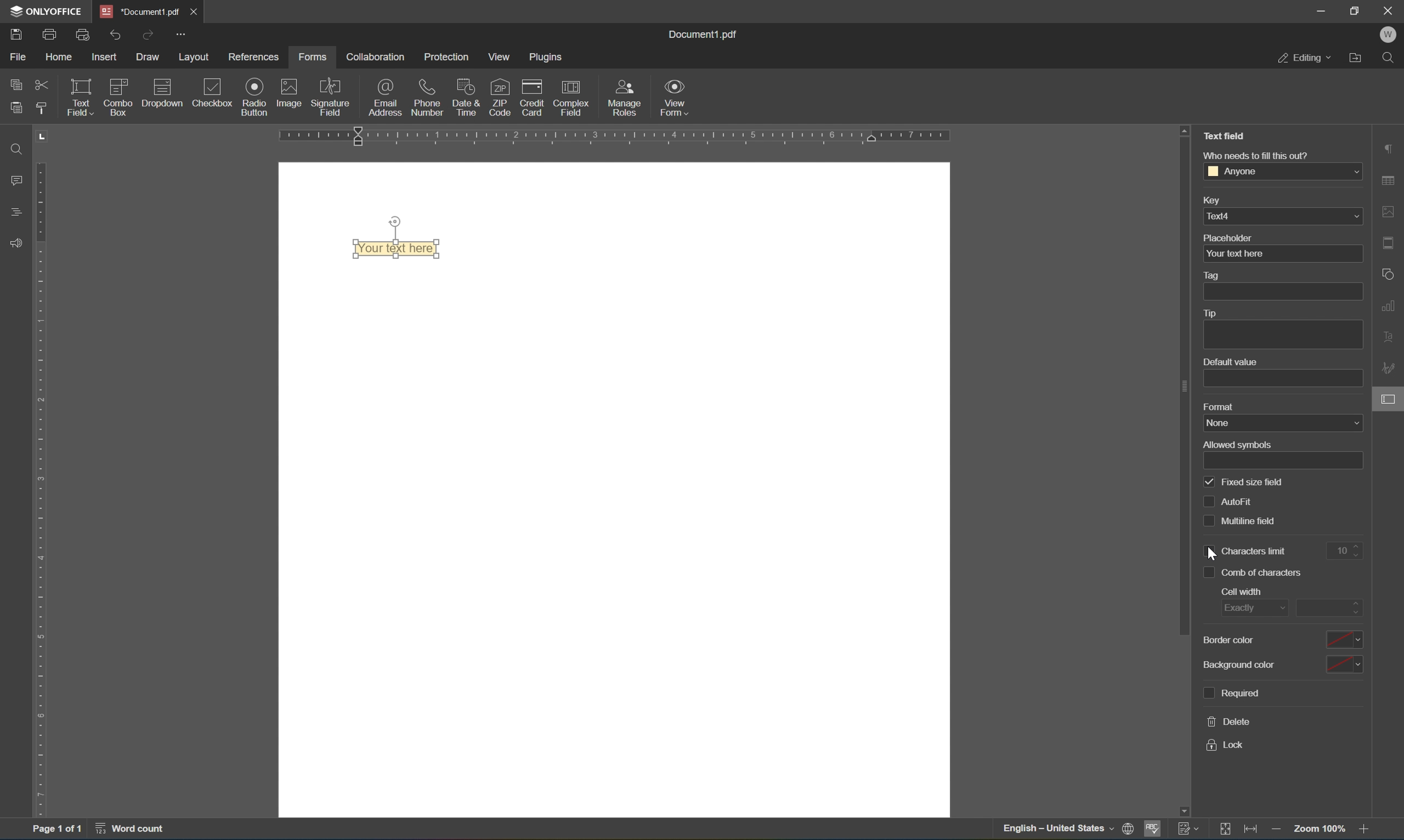 Image resolution: width=1404 pixels, height=840 pixels. What do you see at coordinates (571, 102) in the screenshot?
I see `complex field` at bounding box center [571, 102].